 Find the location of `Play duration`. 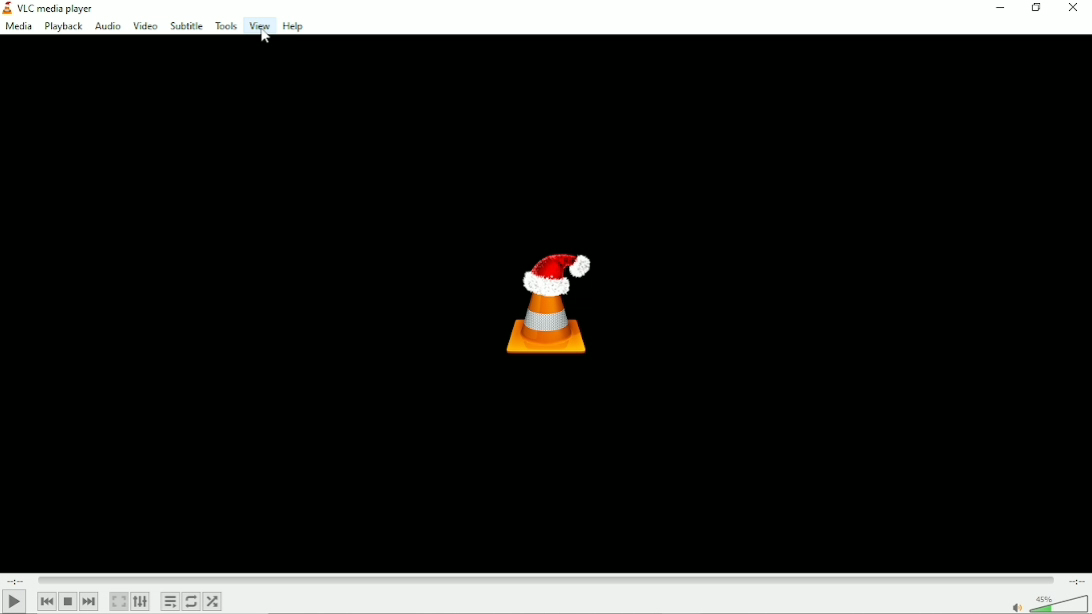

Play duration is located at coordinates (546, 580).